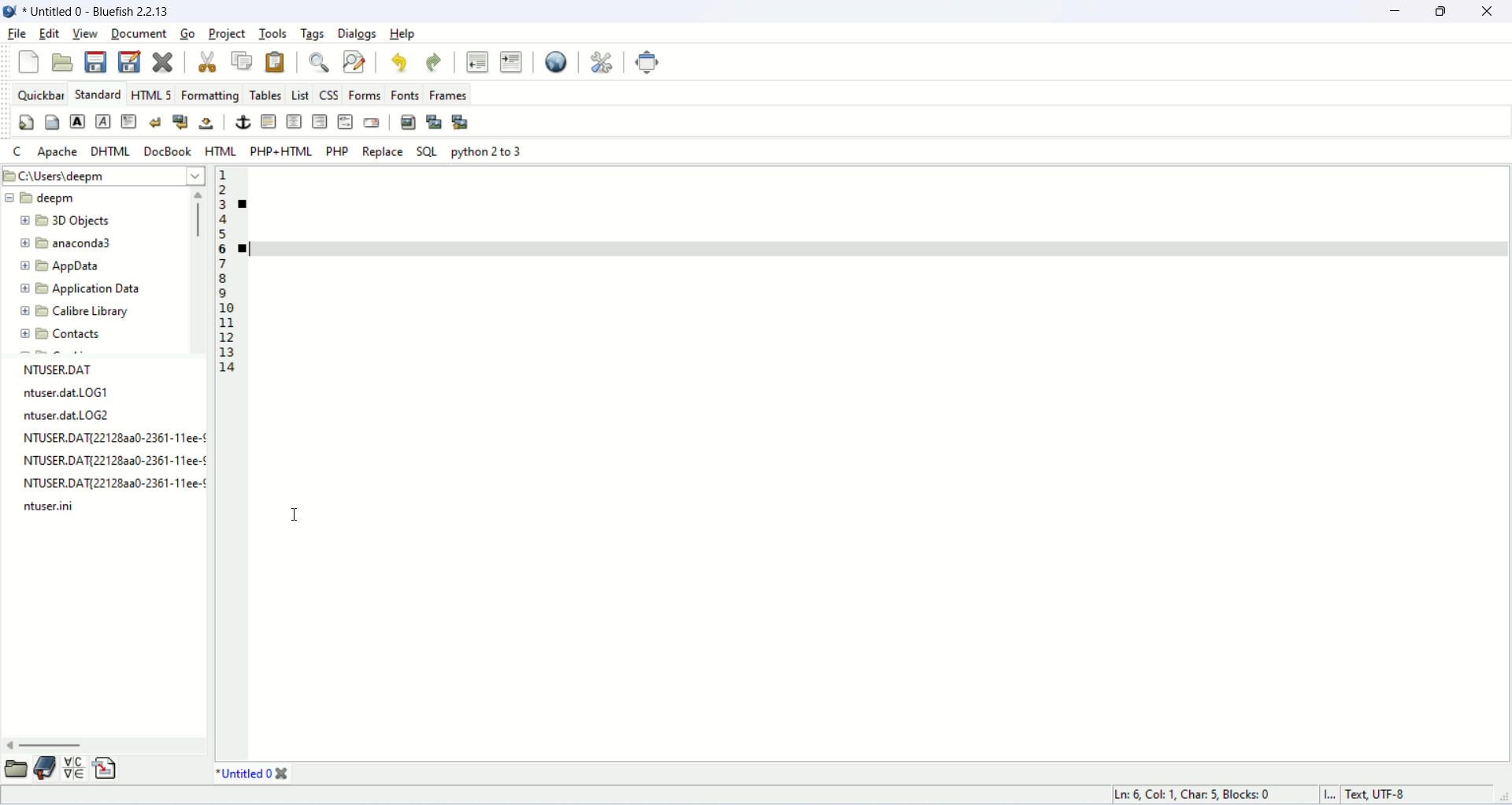  What do you see at coordinates (244, 61) in the screenshot?
I see `copy` at bounding box center [244, 61].